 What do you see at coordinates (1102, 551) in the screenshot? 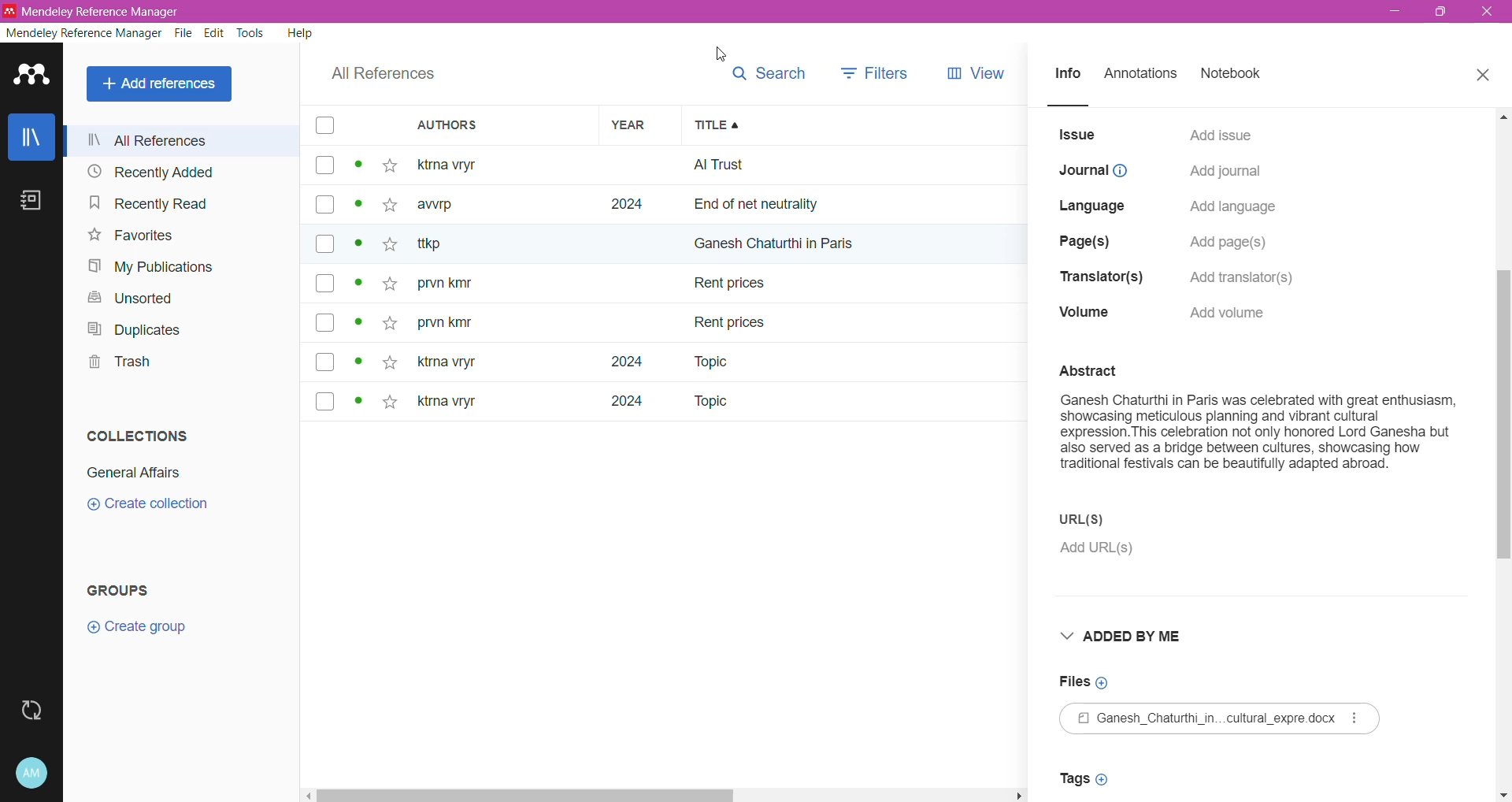
I see `Click to Add URL(S)` at bounding box center [1102, 551].